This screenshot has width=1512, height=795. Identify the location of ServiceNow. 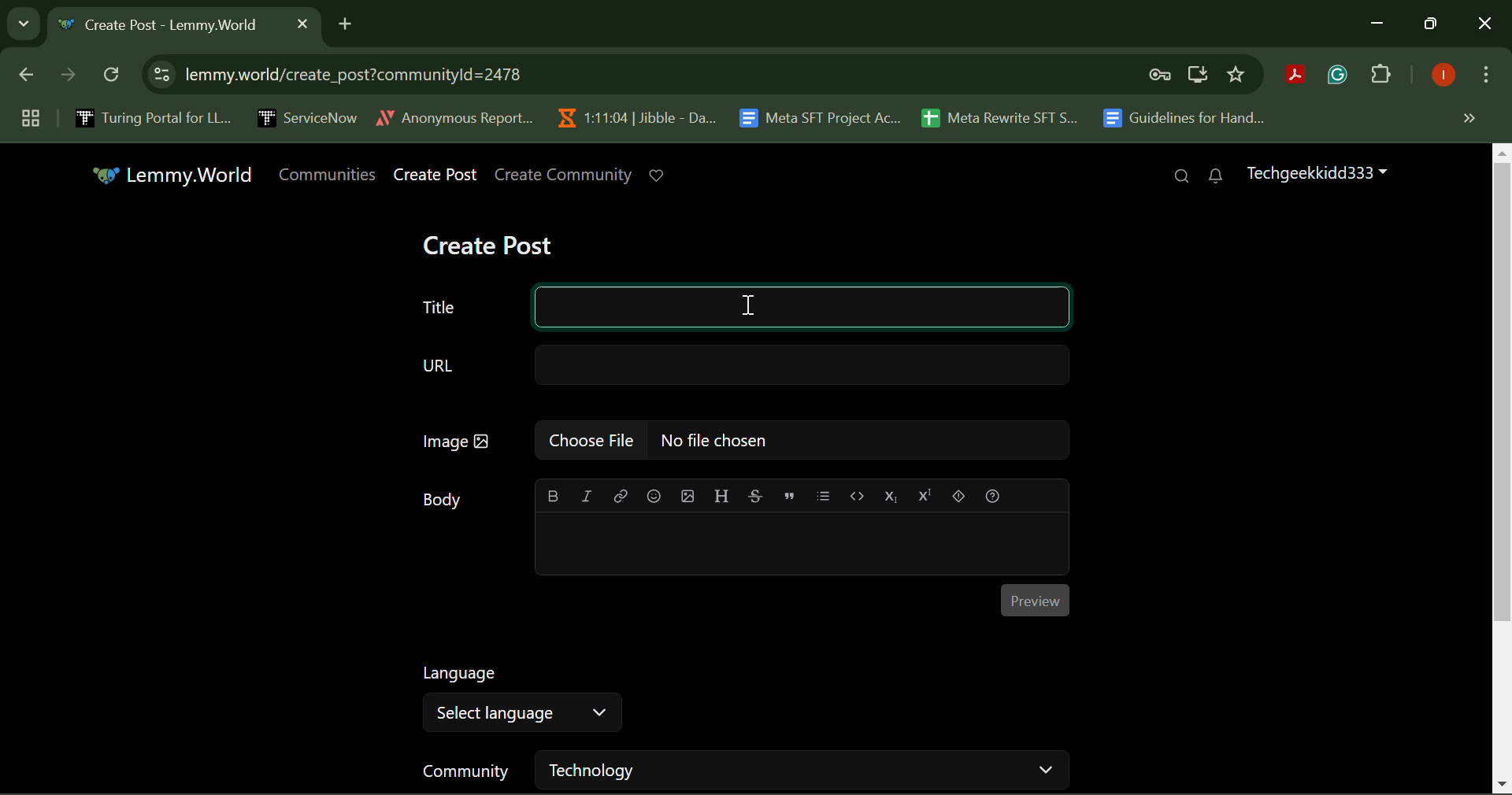
(306, 116).